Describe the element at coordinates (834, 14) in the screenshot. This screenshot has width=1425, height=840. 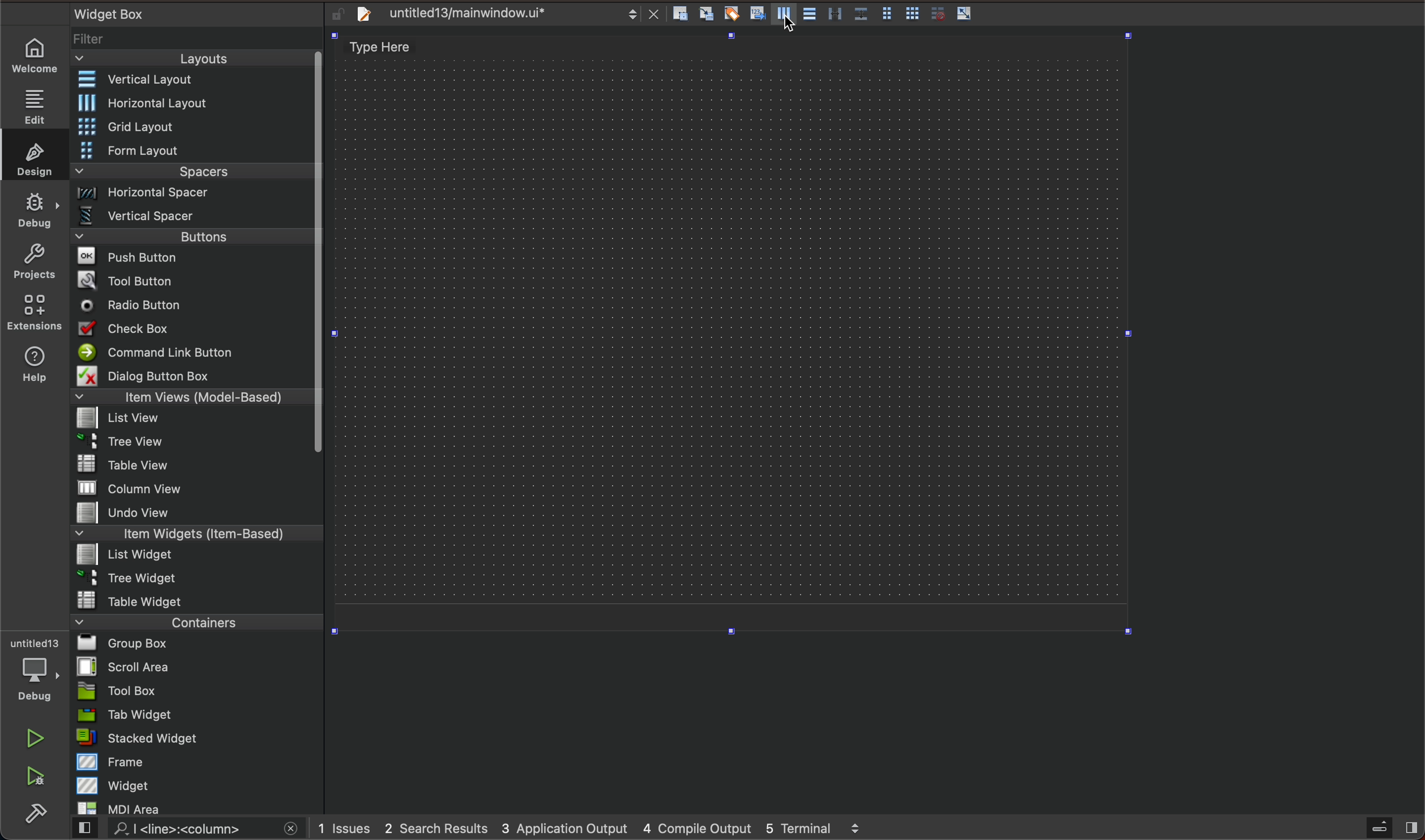
I see `vertical splitter` at that location.